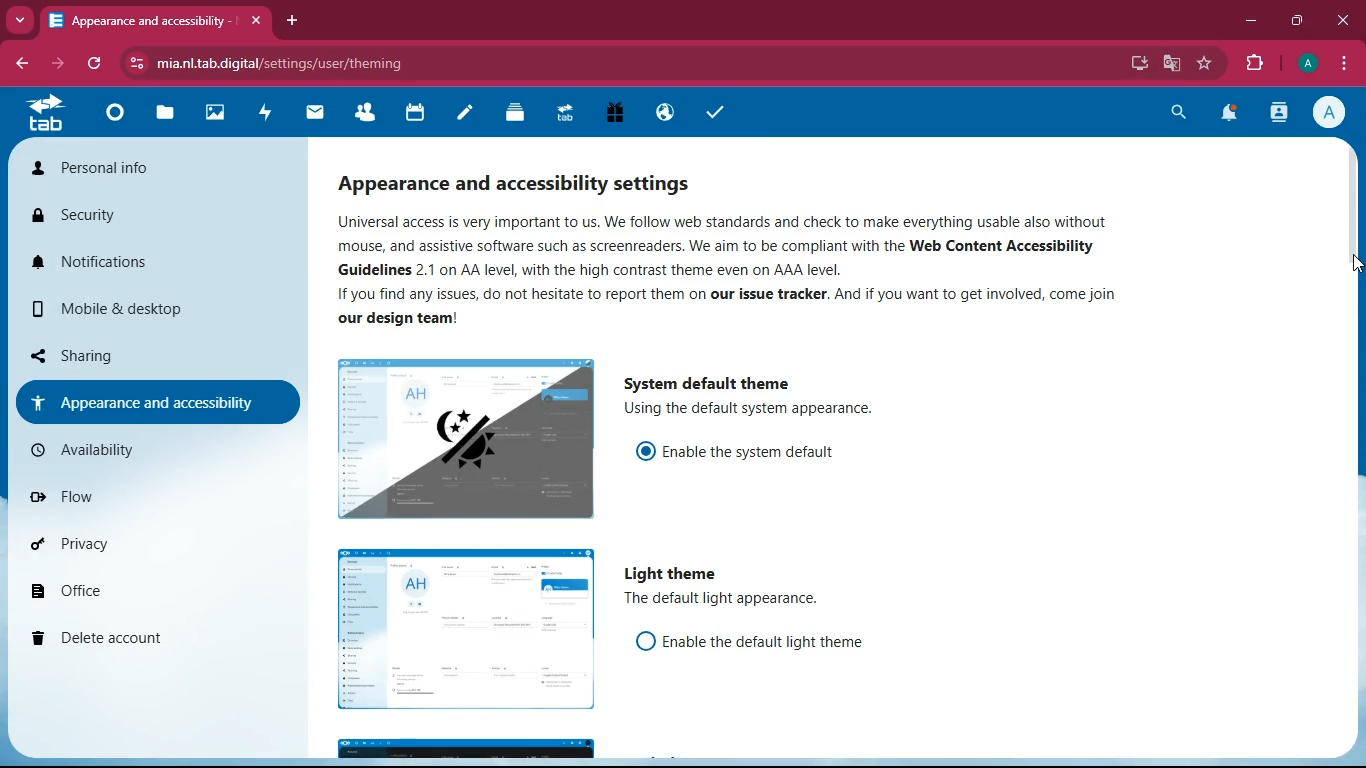  I want to click on personal info, so click(128, 168).